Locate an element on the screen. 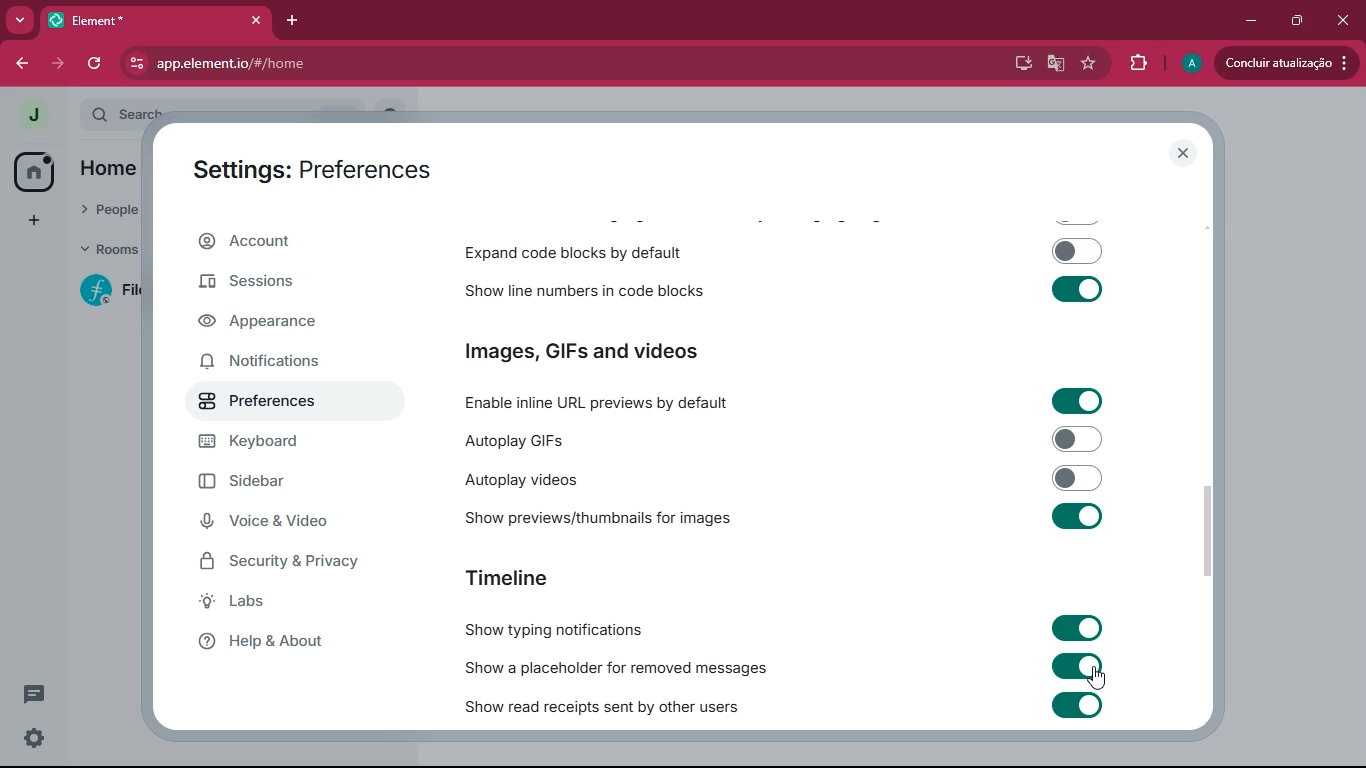 The height and width of the screenshot is (768, 1366). keyboard is located at coordinates (277, 444).